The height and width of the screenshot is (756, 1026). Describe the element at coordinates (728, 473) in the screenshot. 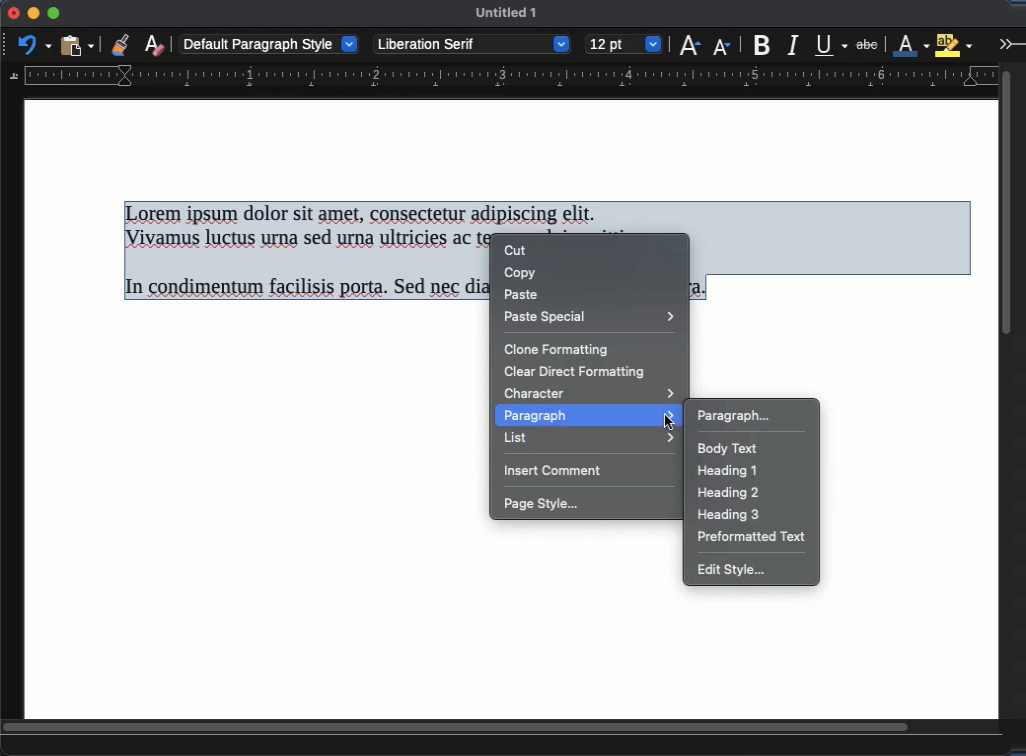

I see `heading 1` at that location.